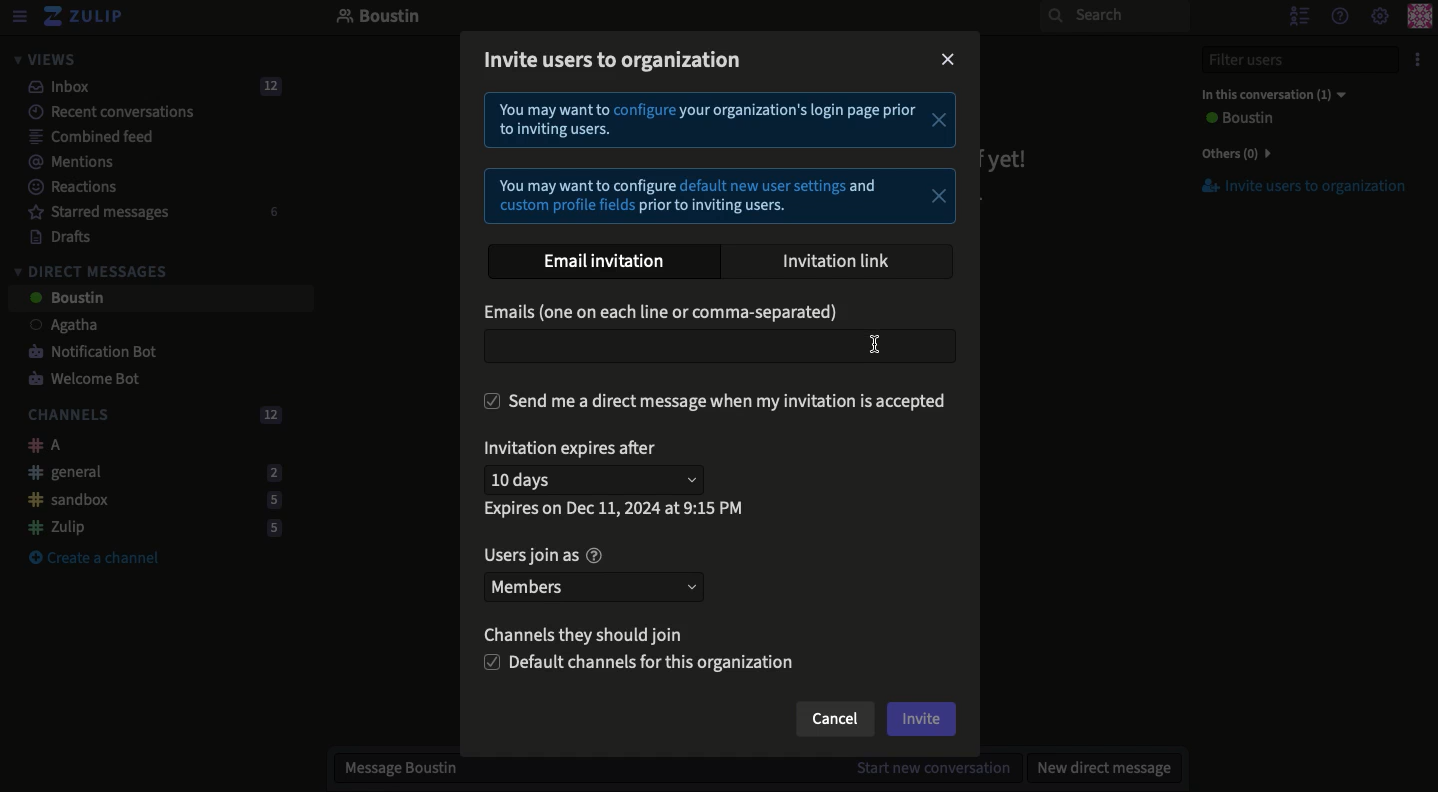  I want to click on Users join as, so click(542, 555).